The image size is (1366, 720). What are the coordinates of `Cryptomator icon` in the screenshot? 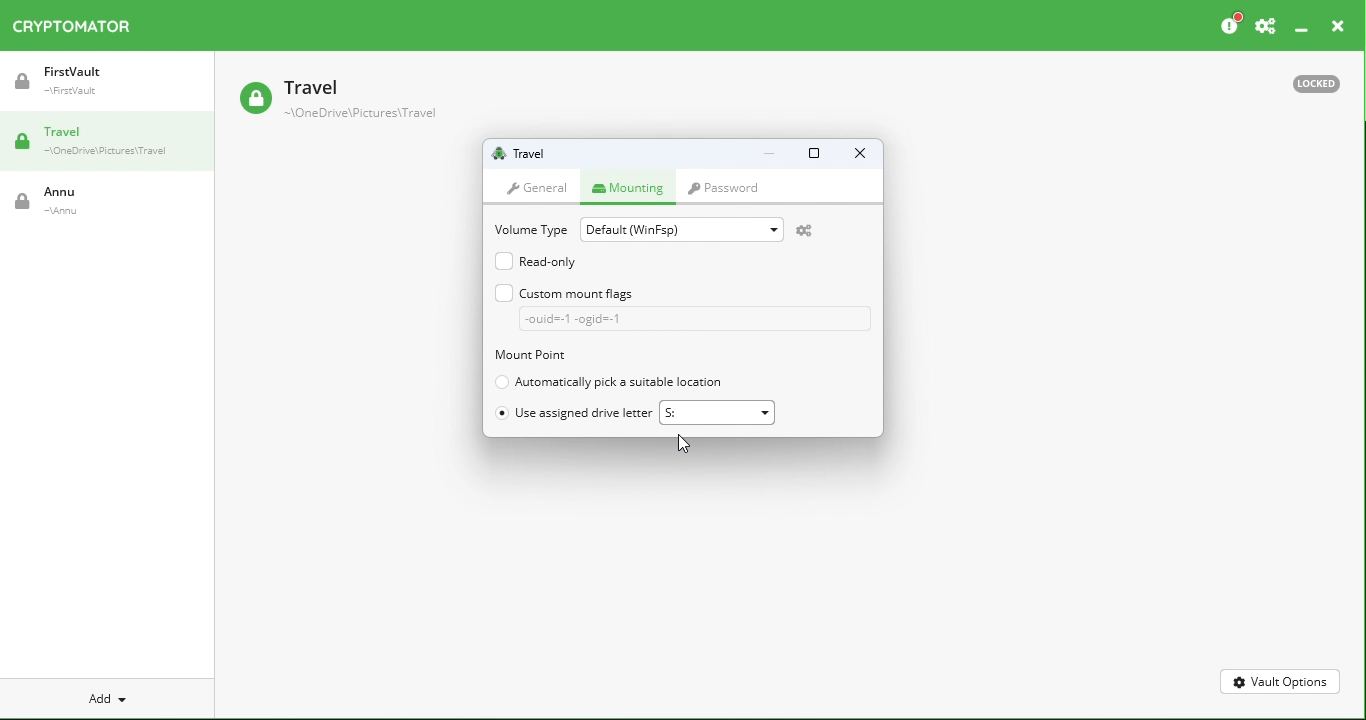 It's located at (81, 27).